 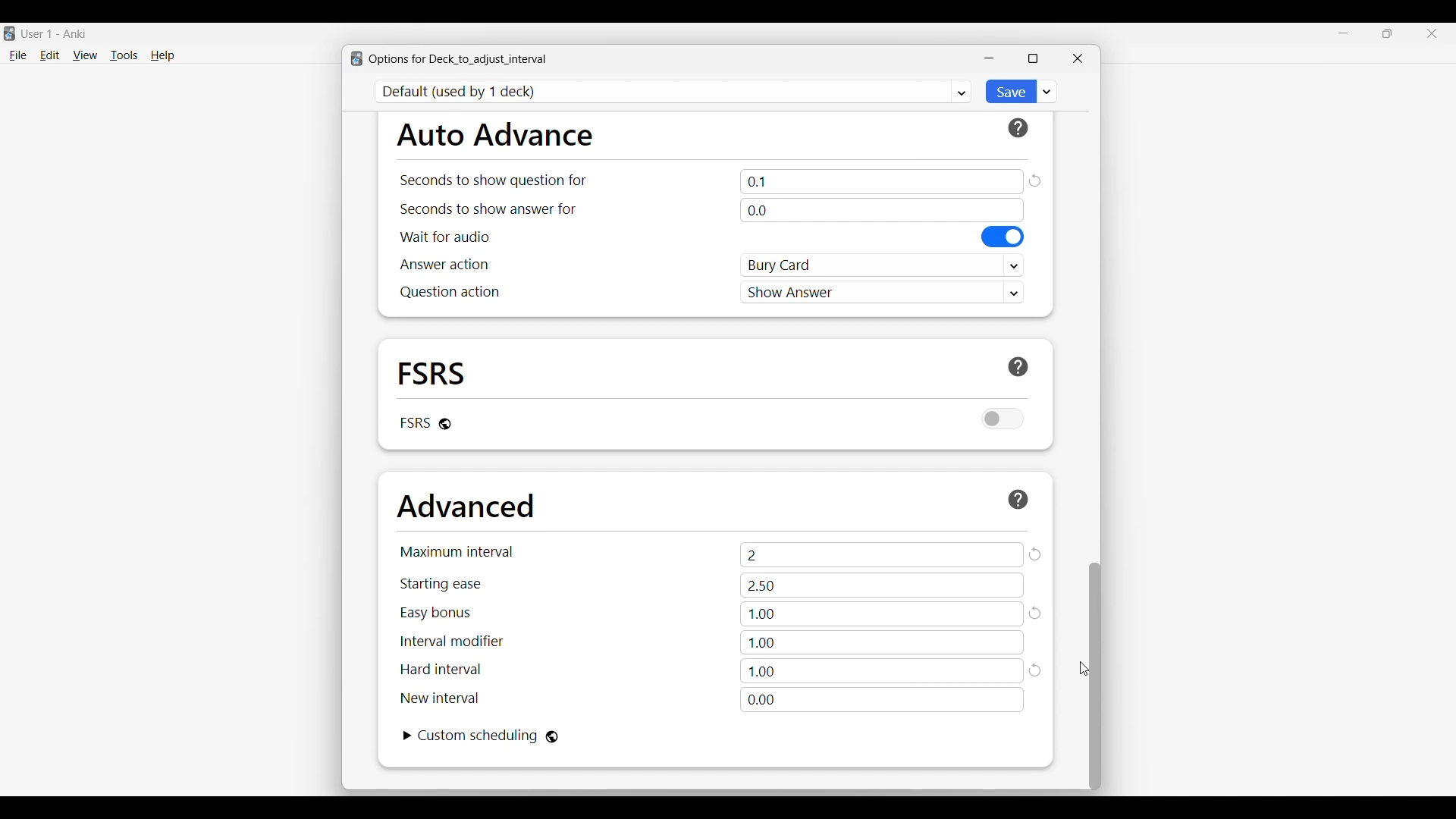 What do you see at coordinates (414, 422) in the screenshot?
I see `Indicates FSRS toggle` at bounding box center [414, 422].